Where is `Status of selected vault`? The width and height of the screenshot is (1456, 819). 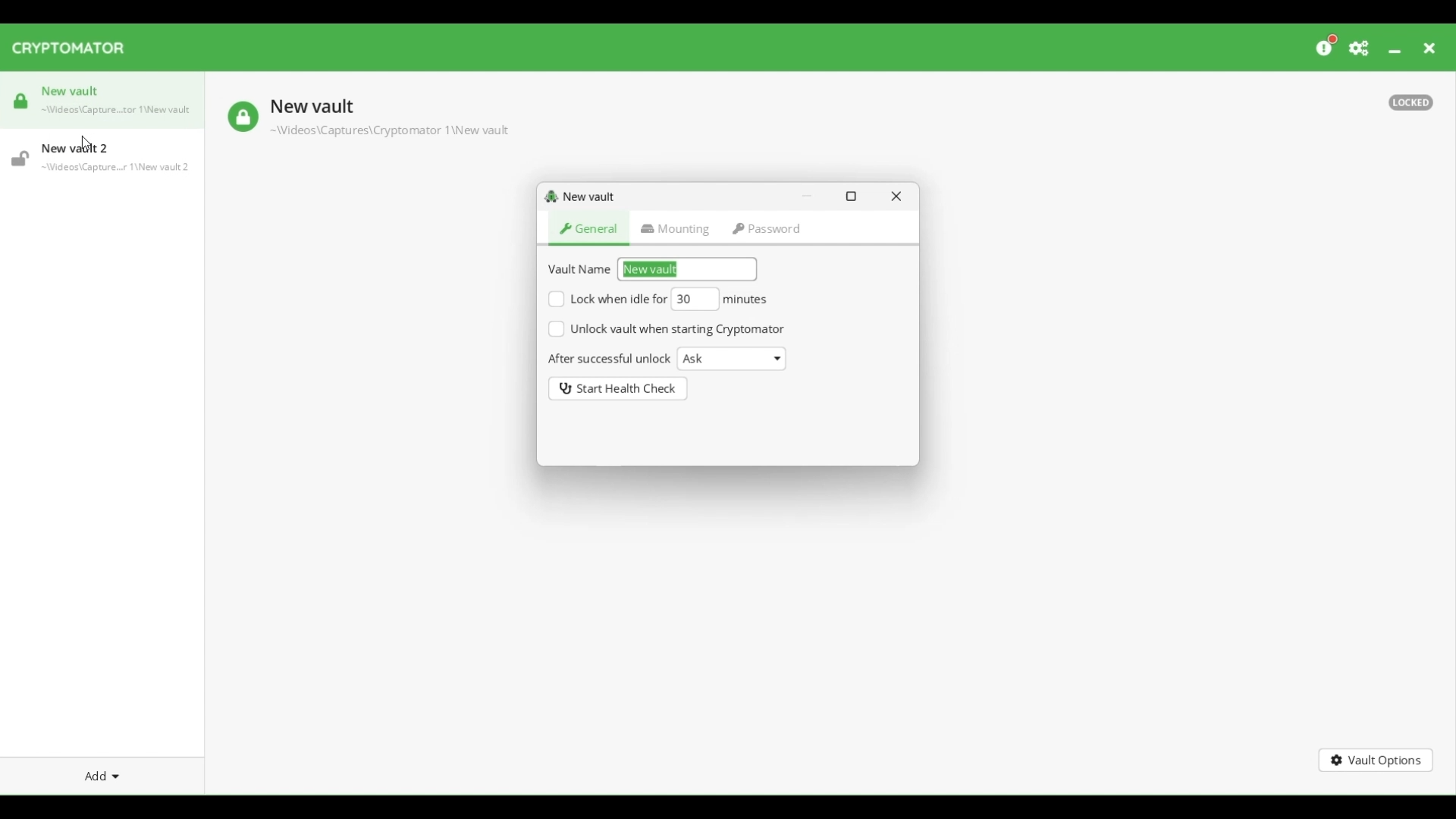 Status of selected vault is located at coordinates (1410, 103).